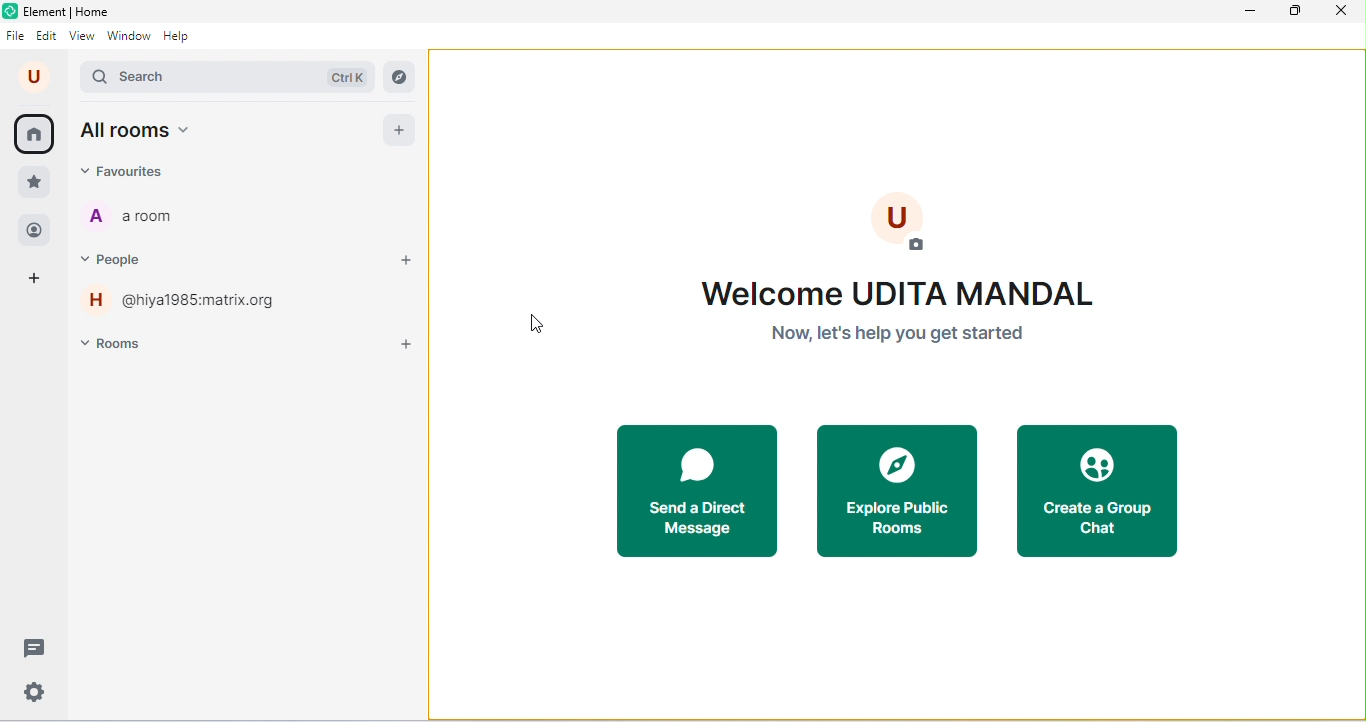 The width and height of the screenshot is (1366, 722). What do you see at coordinates (178, 37) in the screenshot?
I see `help` at bounding box center [178, 37].